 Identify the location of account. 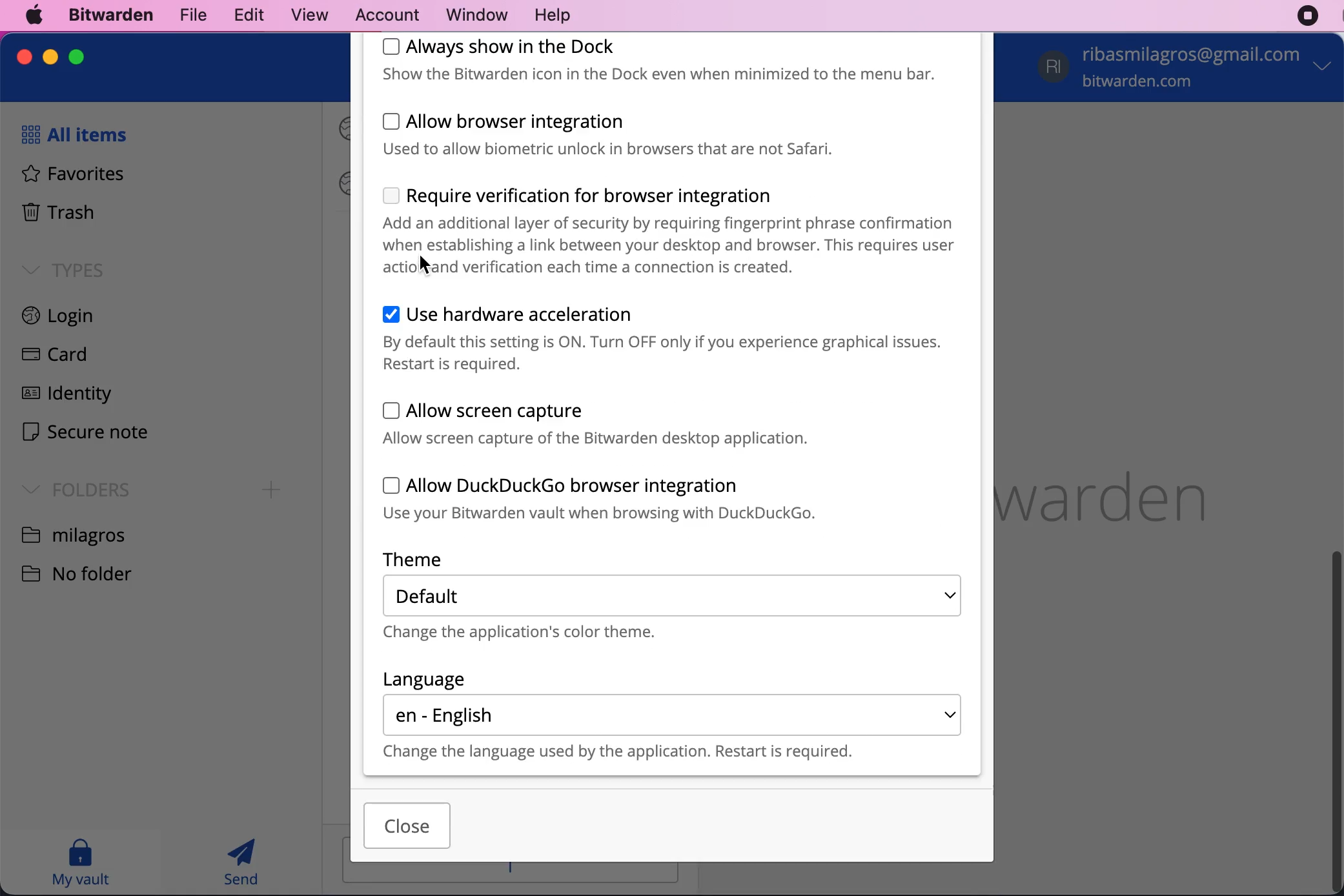
(1188, 69).